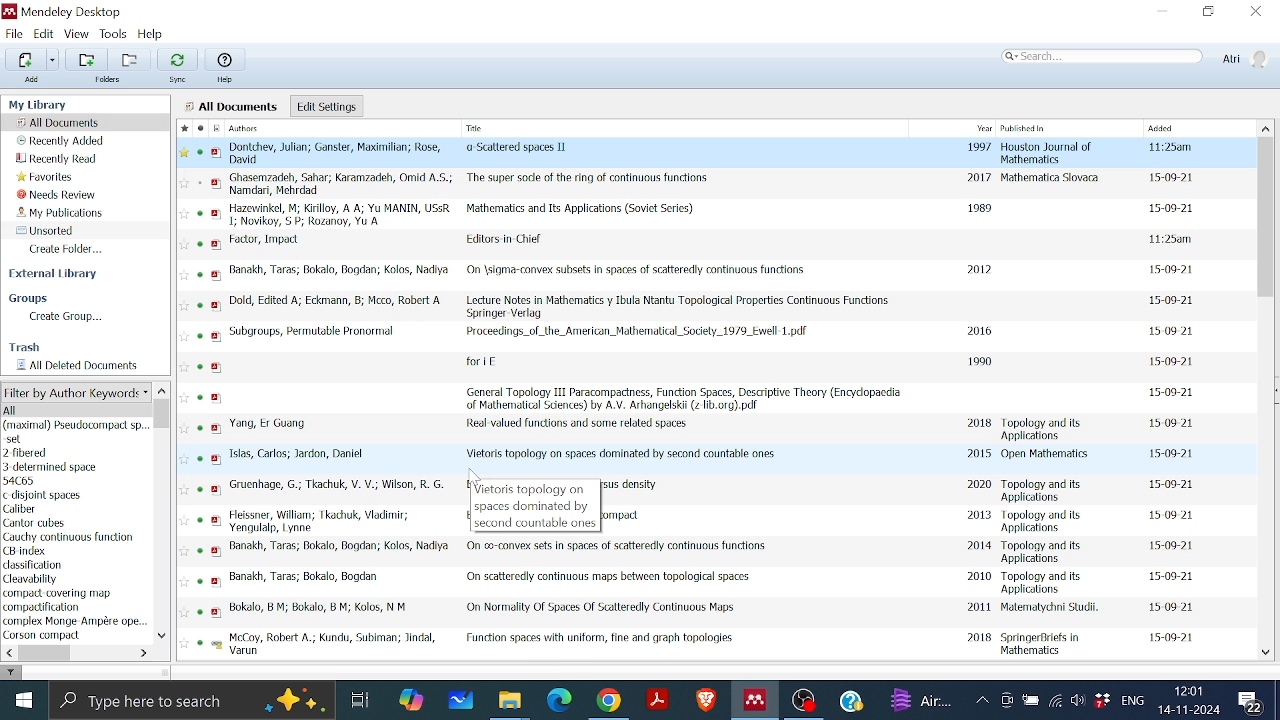  I want to click on read status, so click(204, 520).